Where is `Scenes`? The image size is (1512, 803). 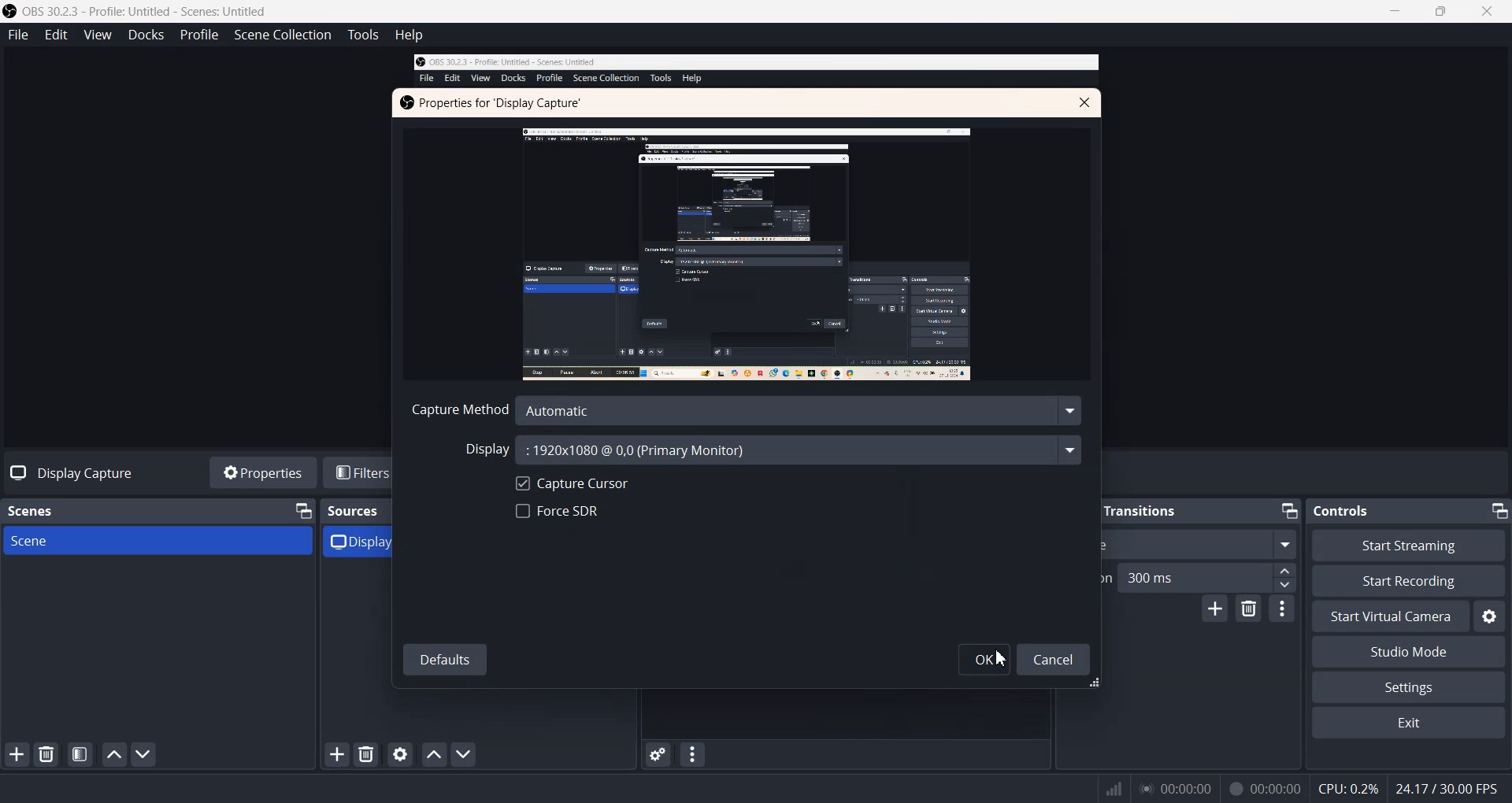
Scenes is located at coordinates (39, 510).